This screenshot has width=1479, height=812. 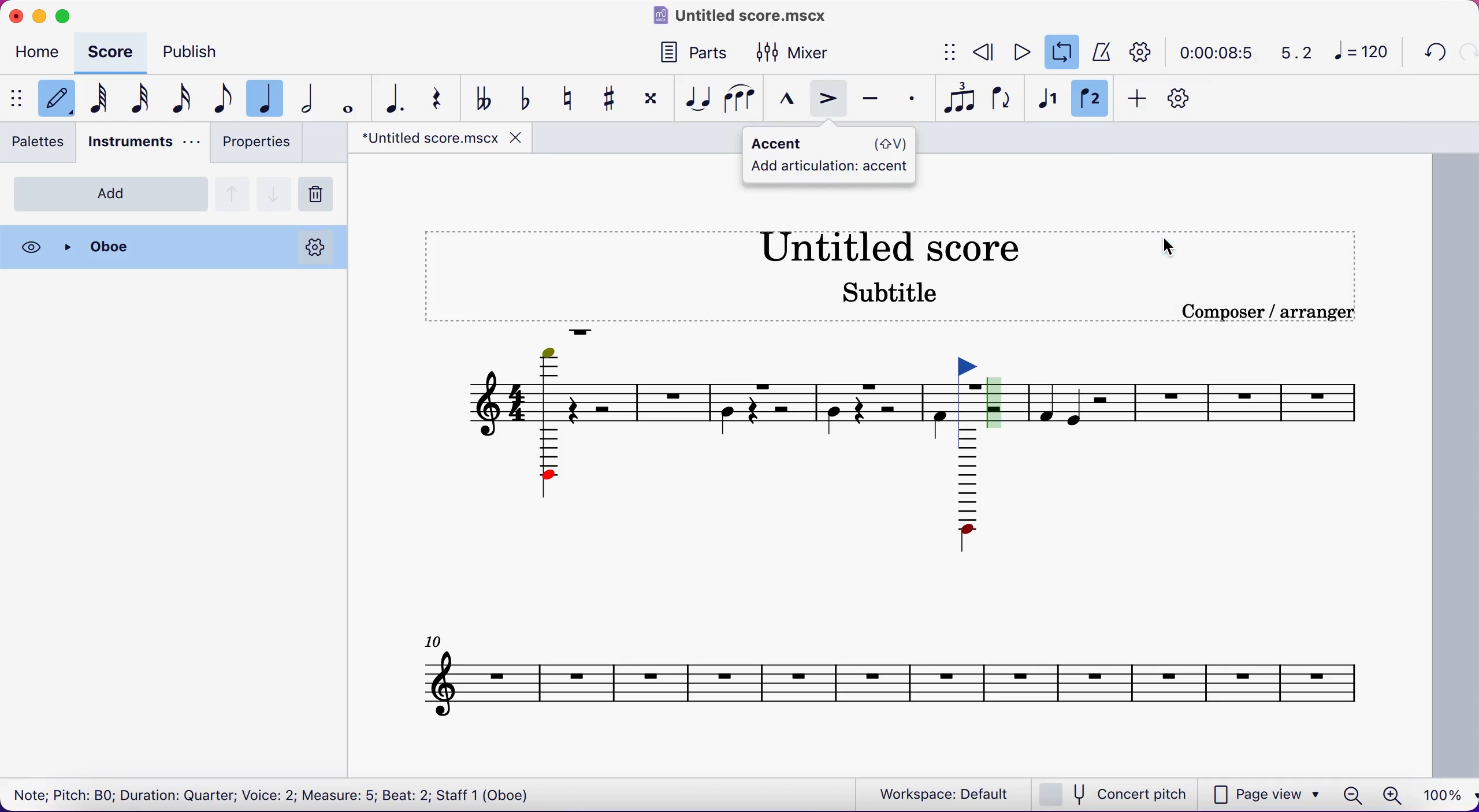 What do you see at coordinates (1439, 793) in the screenshot?
I see `100%` at bounding box center [1439, 793].